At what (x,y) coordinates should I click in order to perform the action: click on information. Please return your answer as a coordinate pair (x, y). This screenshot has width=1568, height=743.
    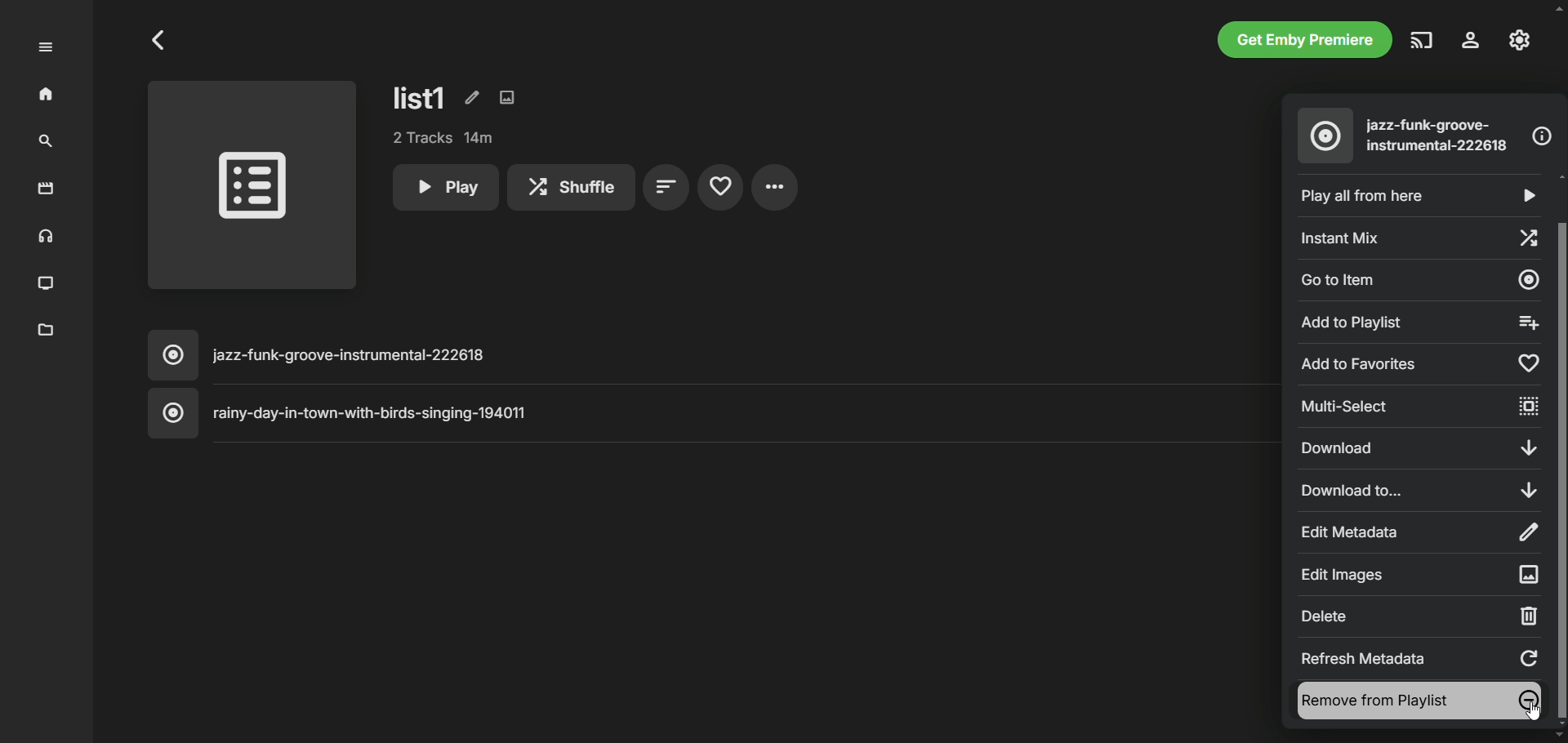
    Looking at the image, I should click on (1542, 136).